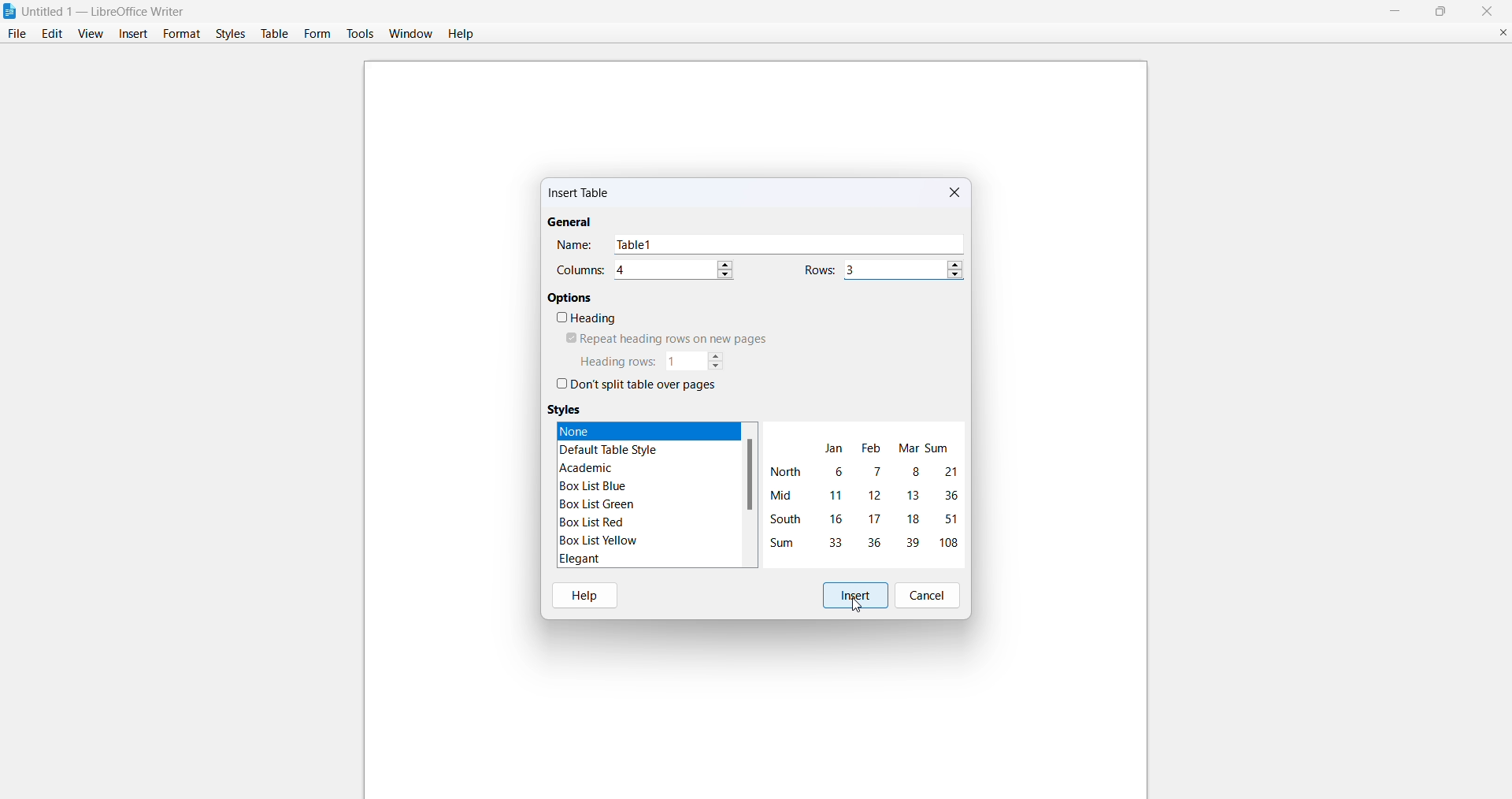  Describe the element at coordinates (575, 245) in the screenshot. I see `name` at that location.